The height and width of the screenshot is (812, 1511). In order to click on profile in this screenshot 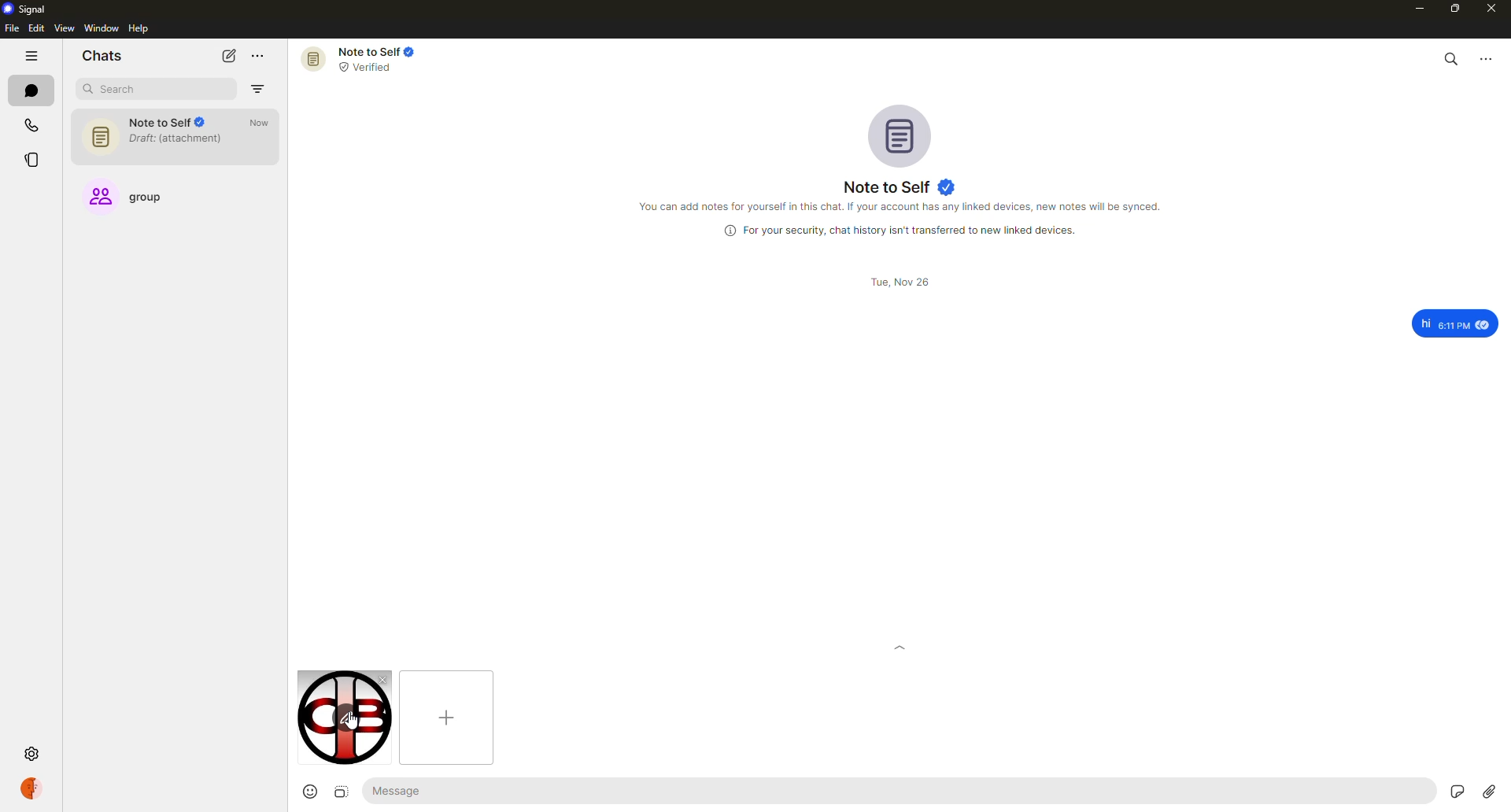, I will do `click(29, 791)`.